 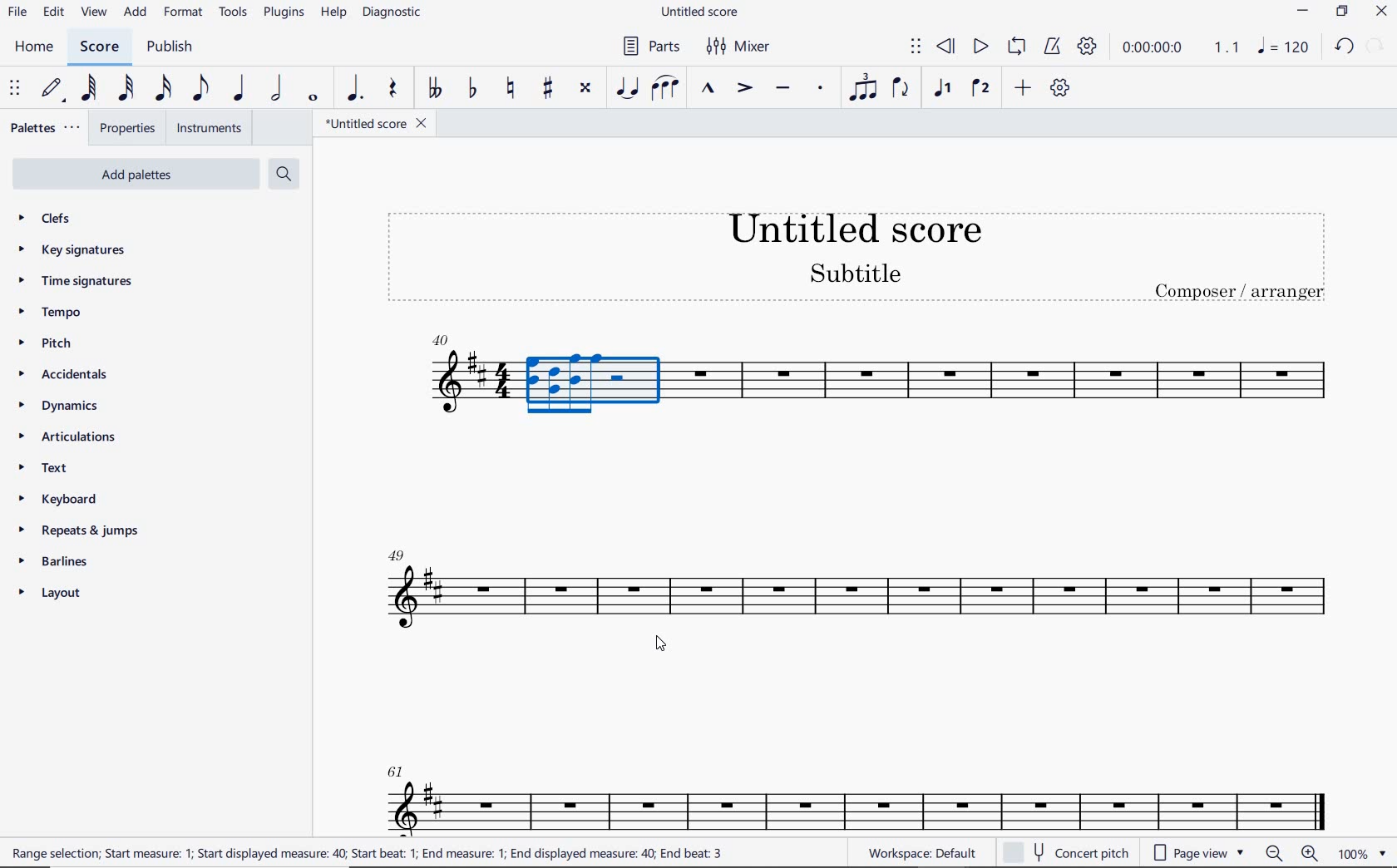 I want to click on RESTORE DOWN, so click(x=1342, y=13).